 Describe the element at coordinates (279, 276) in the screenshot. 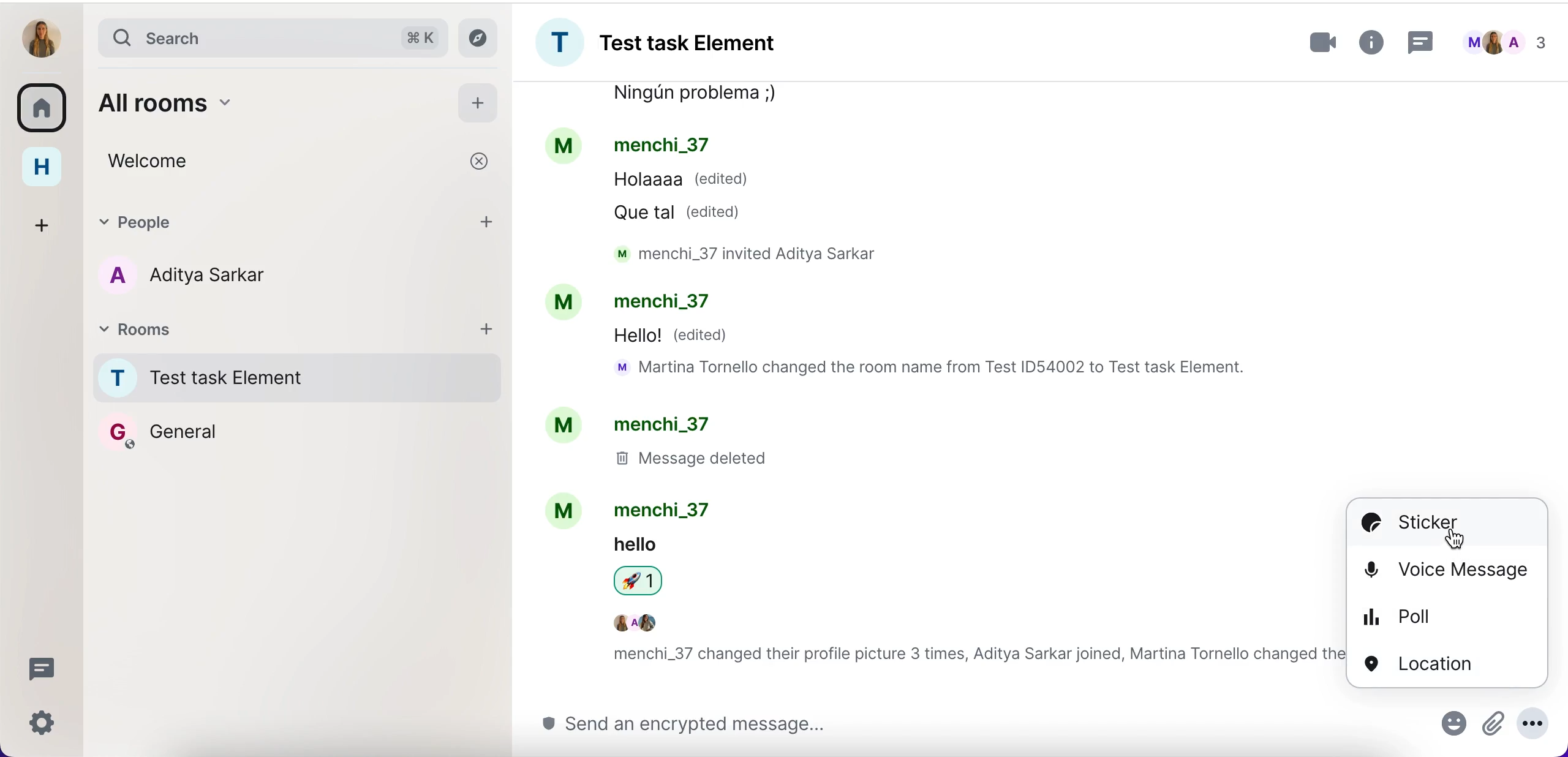

I see `chat member` at that location.